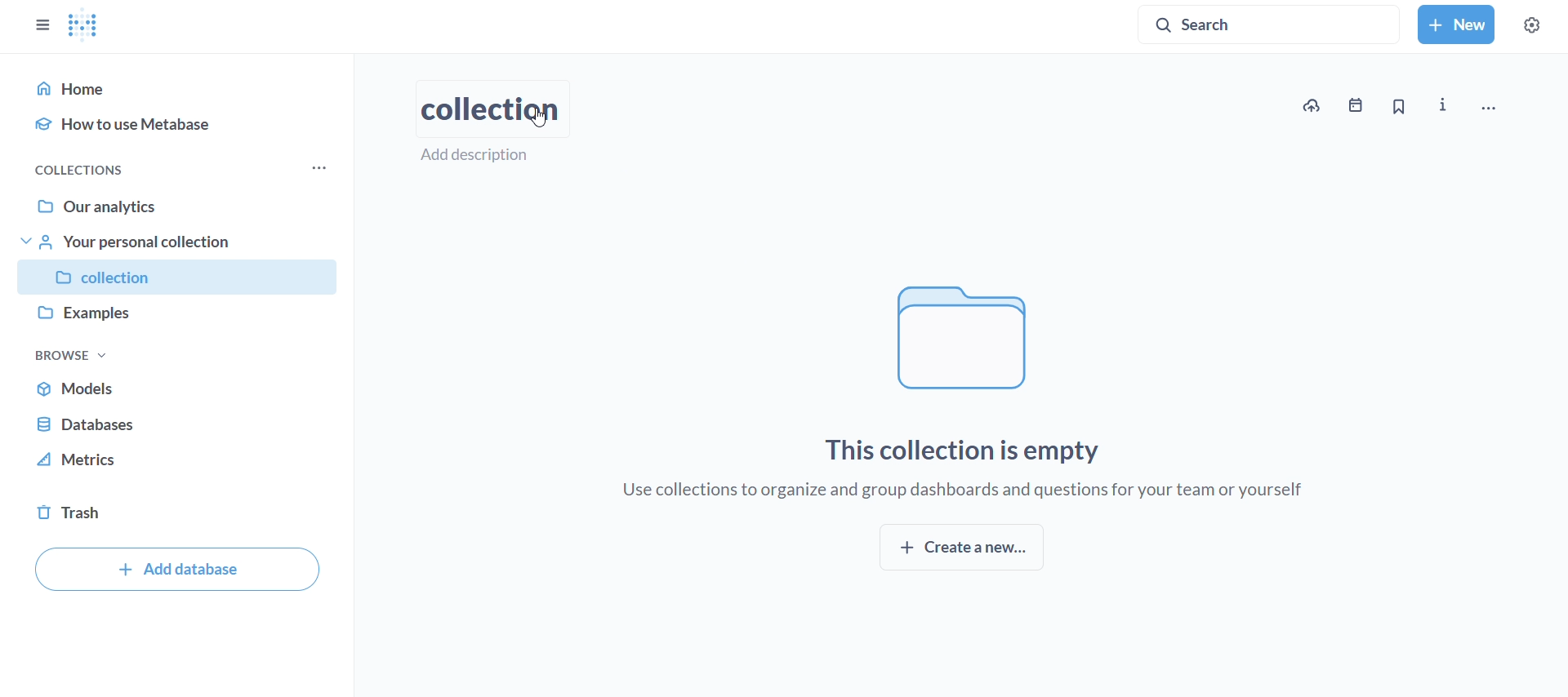 The image size is (1568, 697). I want to click on models, so click(179, 388).